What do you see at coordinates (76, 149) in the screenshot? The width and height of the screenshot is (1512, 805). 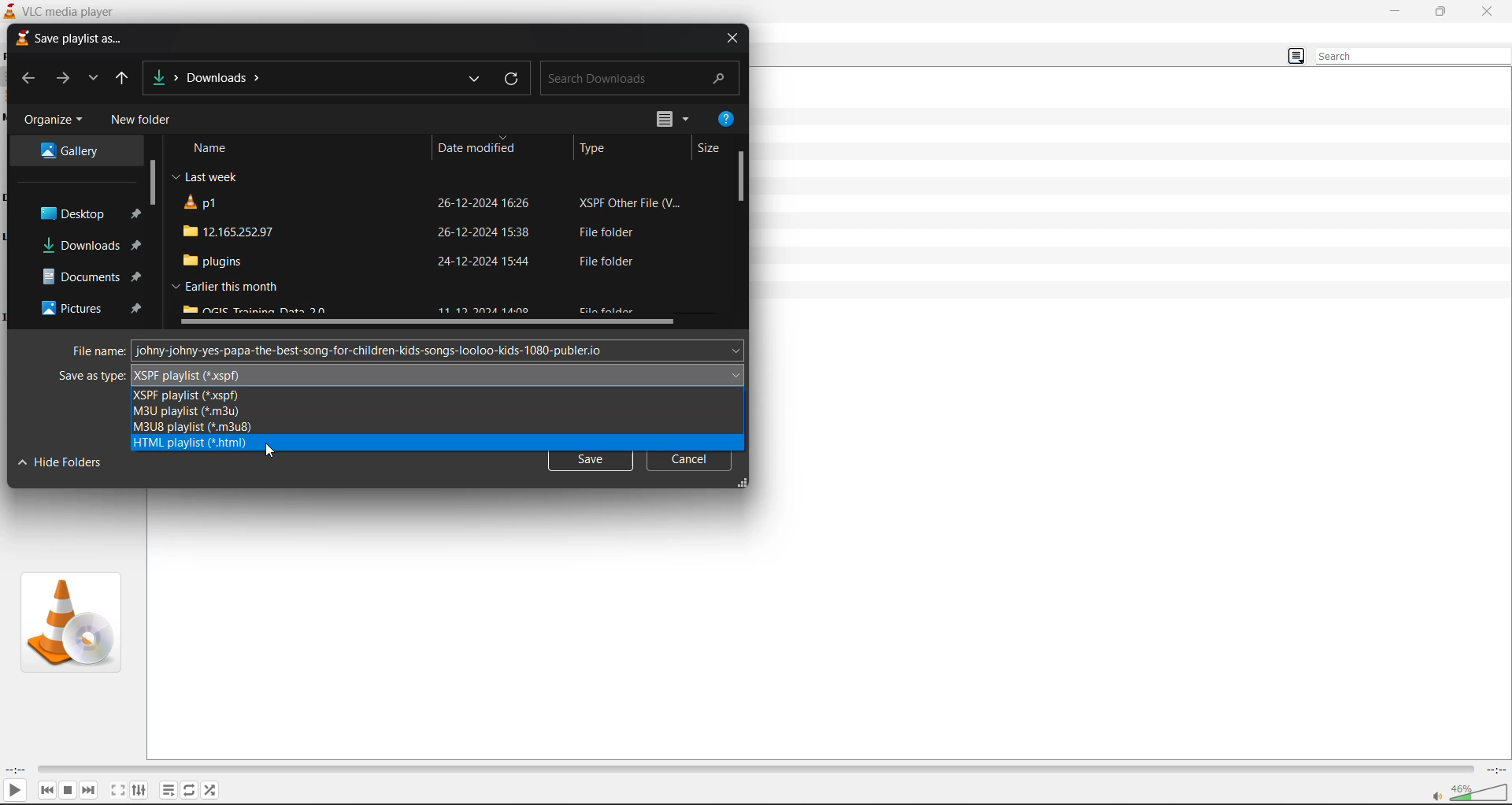 I see `gallery` at bounding box center [76, 149].